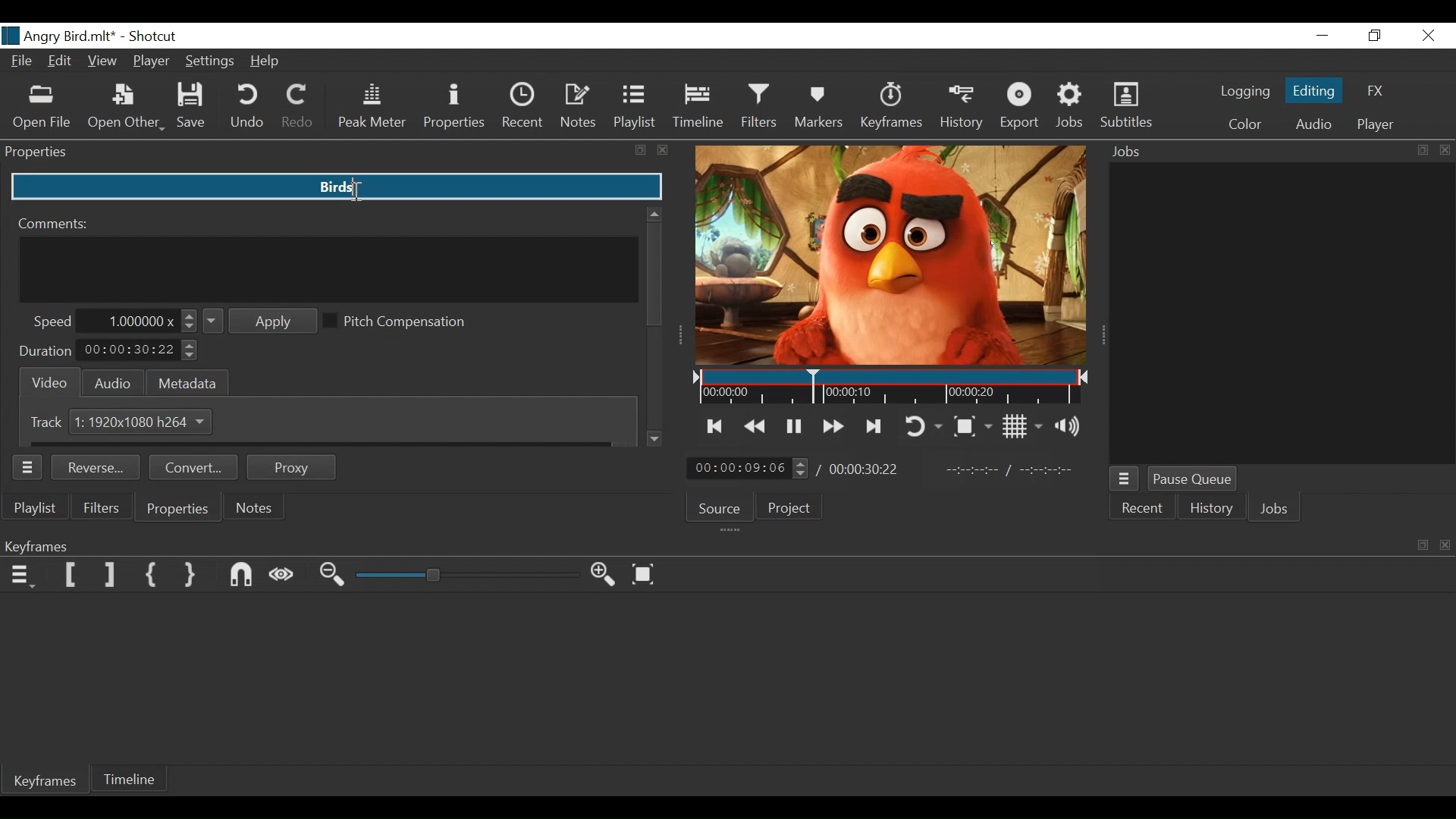 The height and width of the screenshot is (819, 1456). What do you see at coordinates (1373, 127) in the screenshot?
I see `player` at bounding box center [1373, 127].